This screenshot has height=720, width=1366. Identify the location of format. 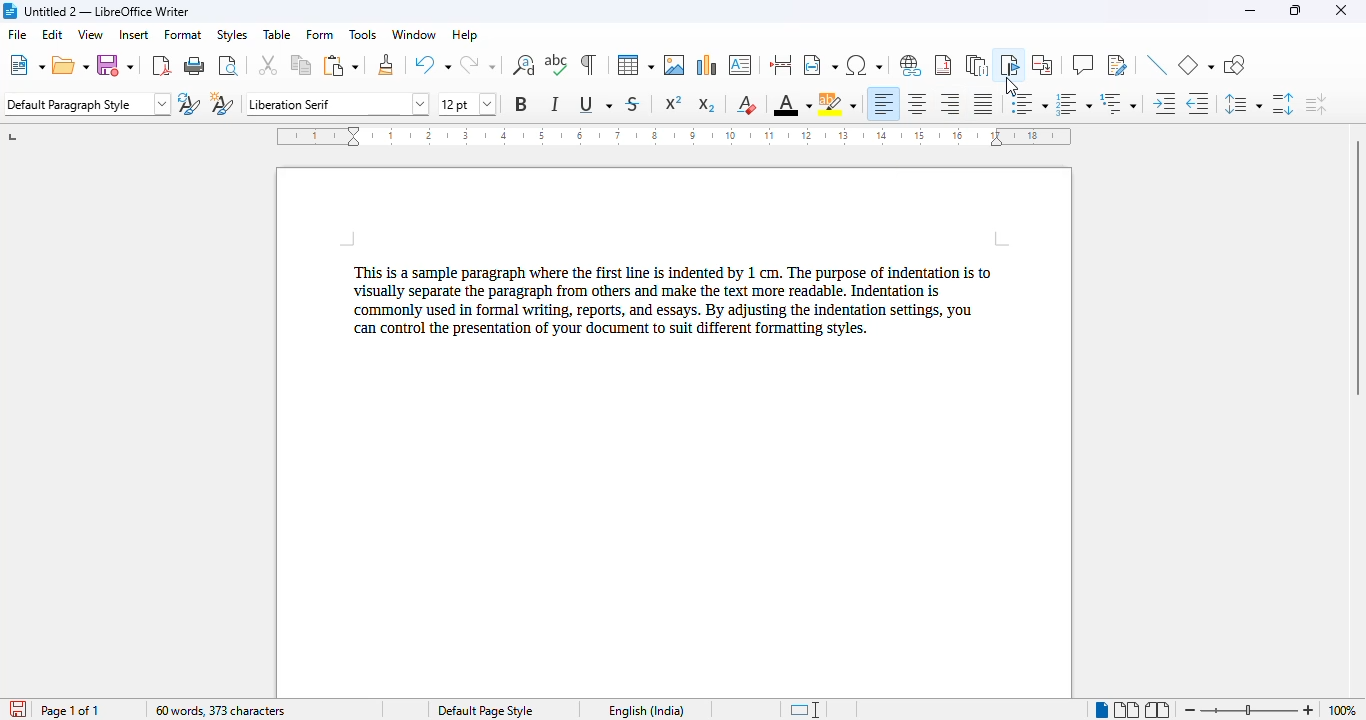
(183, 34).